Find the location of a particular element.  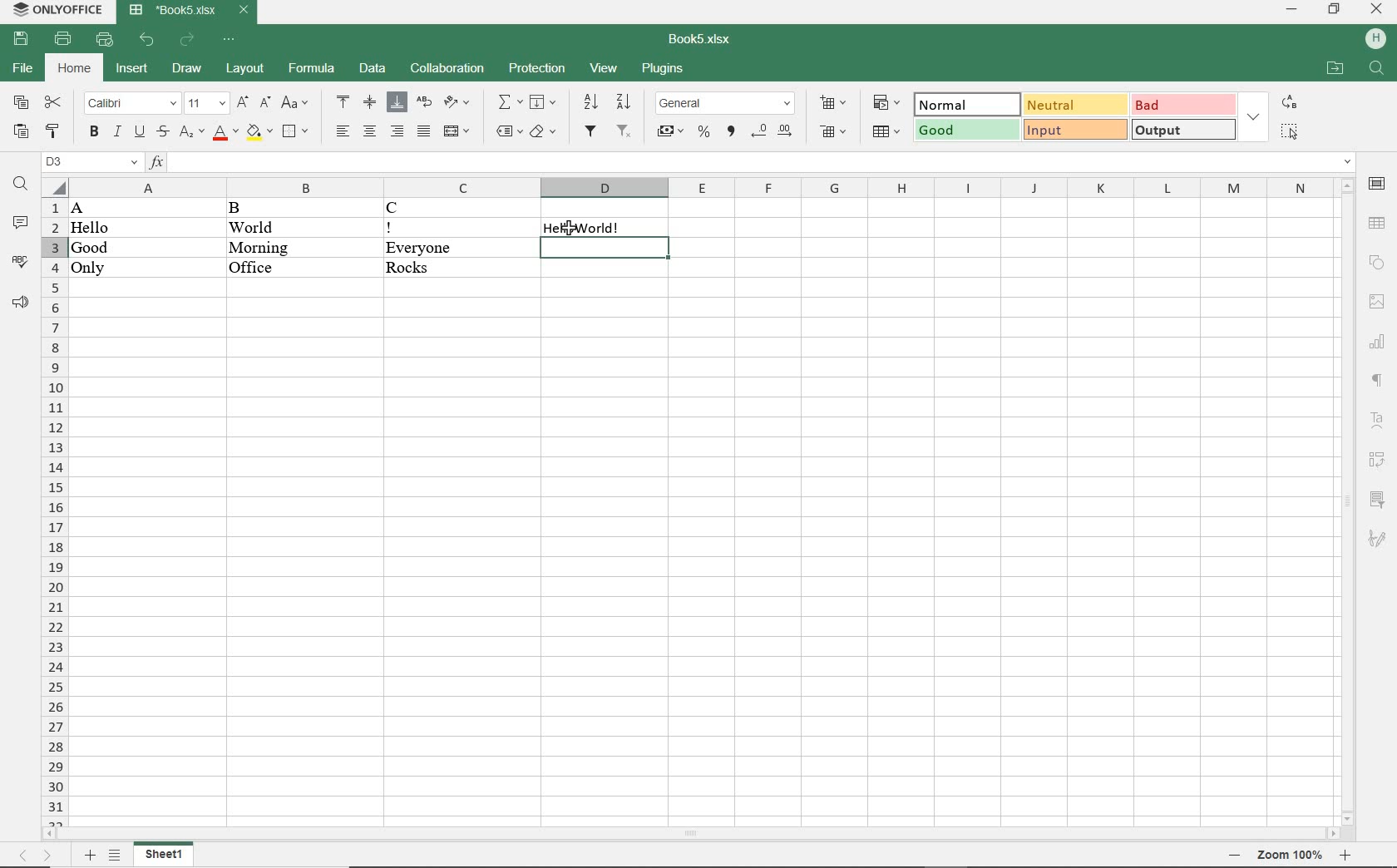

MERGE & CENTER is located at coordinates (457, 132).